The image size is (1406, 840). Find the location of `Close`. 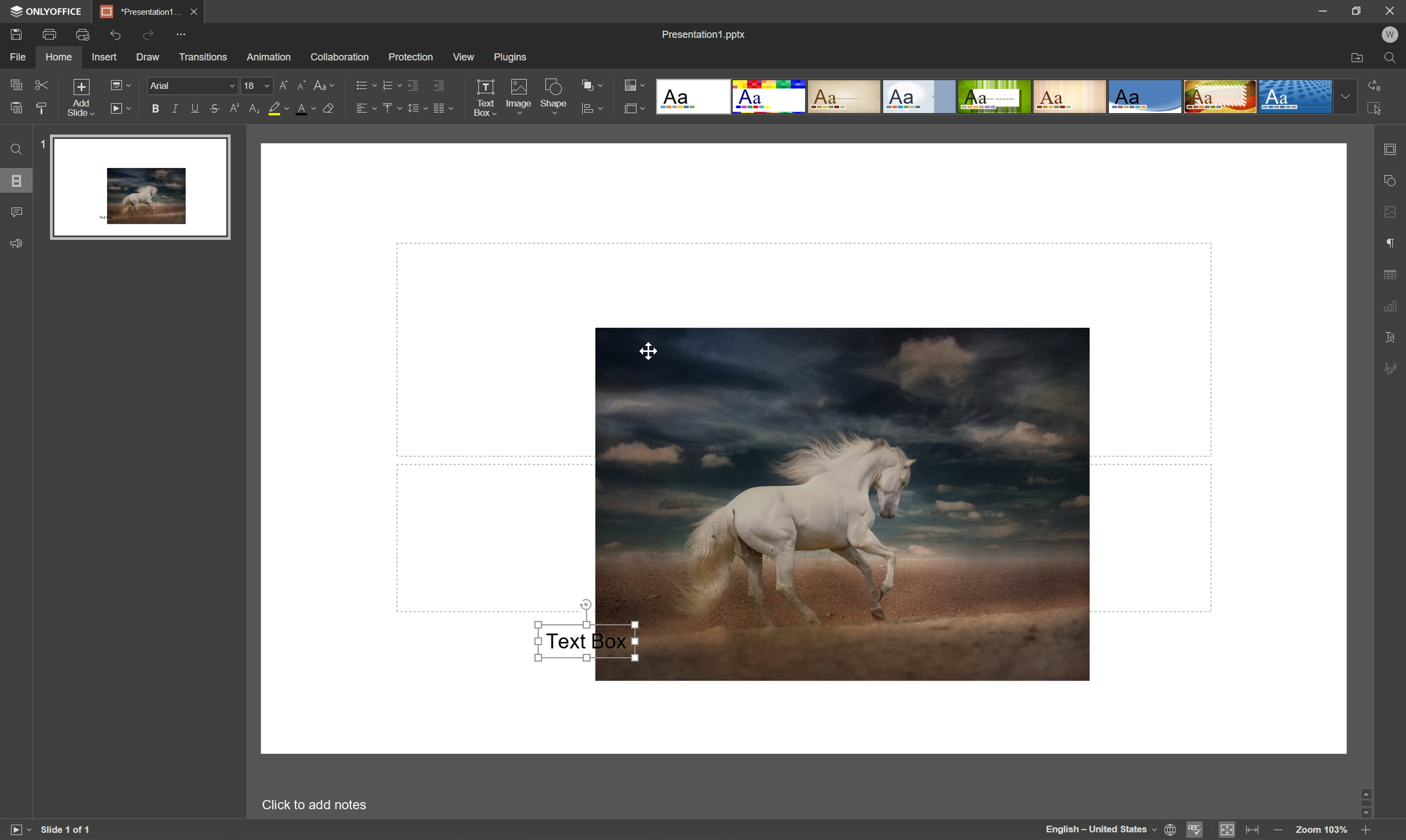

Close is located at coordinates (1390, 12).